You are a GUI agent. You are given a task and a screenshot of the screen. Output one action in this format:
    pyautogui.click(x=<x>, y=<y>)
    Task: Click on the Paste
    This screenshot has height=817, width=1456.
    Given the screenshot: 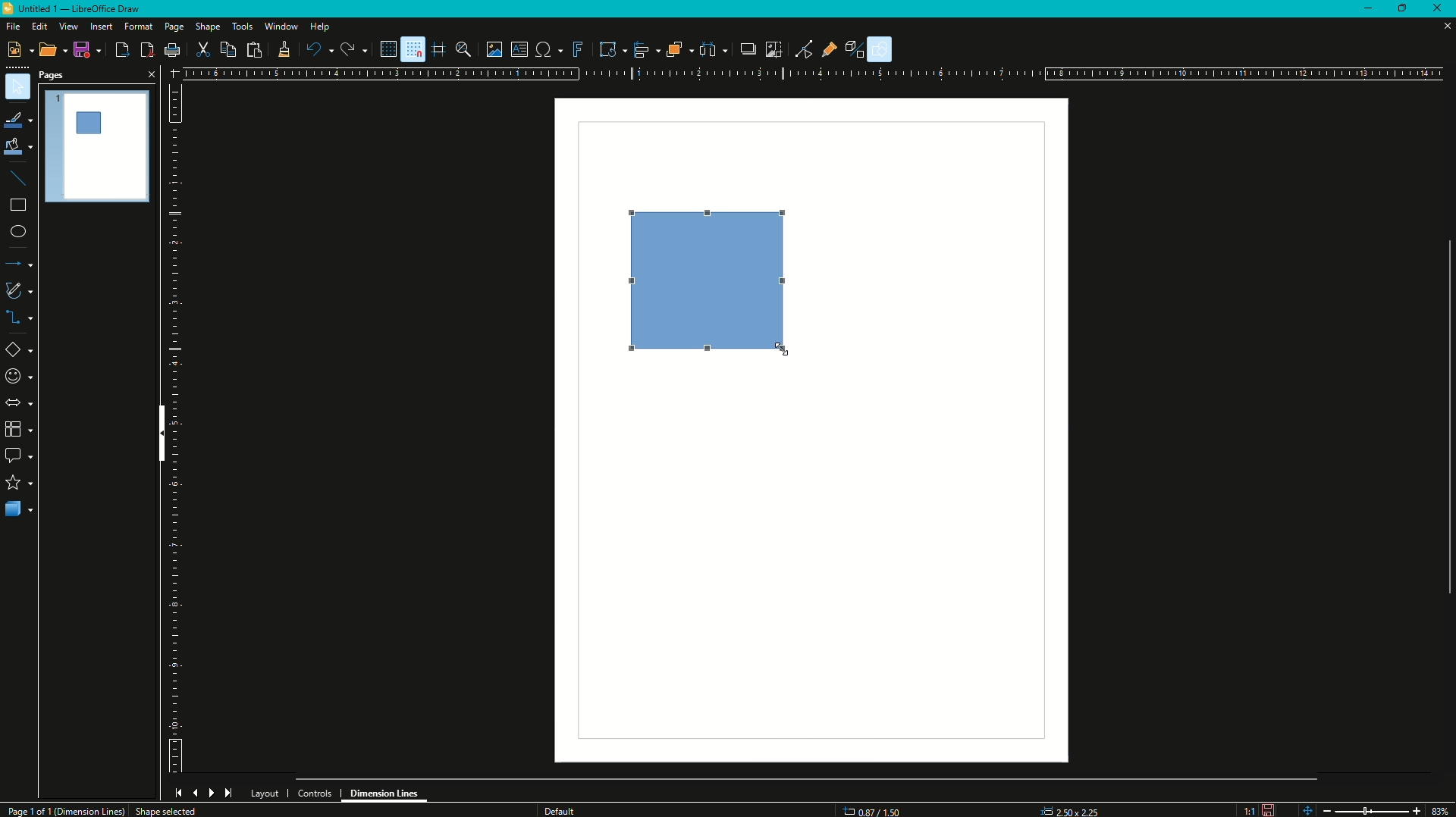 What is the action you would take?
    pyautogui.click(x=253, y=49)
    